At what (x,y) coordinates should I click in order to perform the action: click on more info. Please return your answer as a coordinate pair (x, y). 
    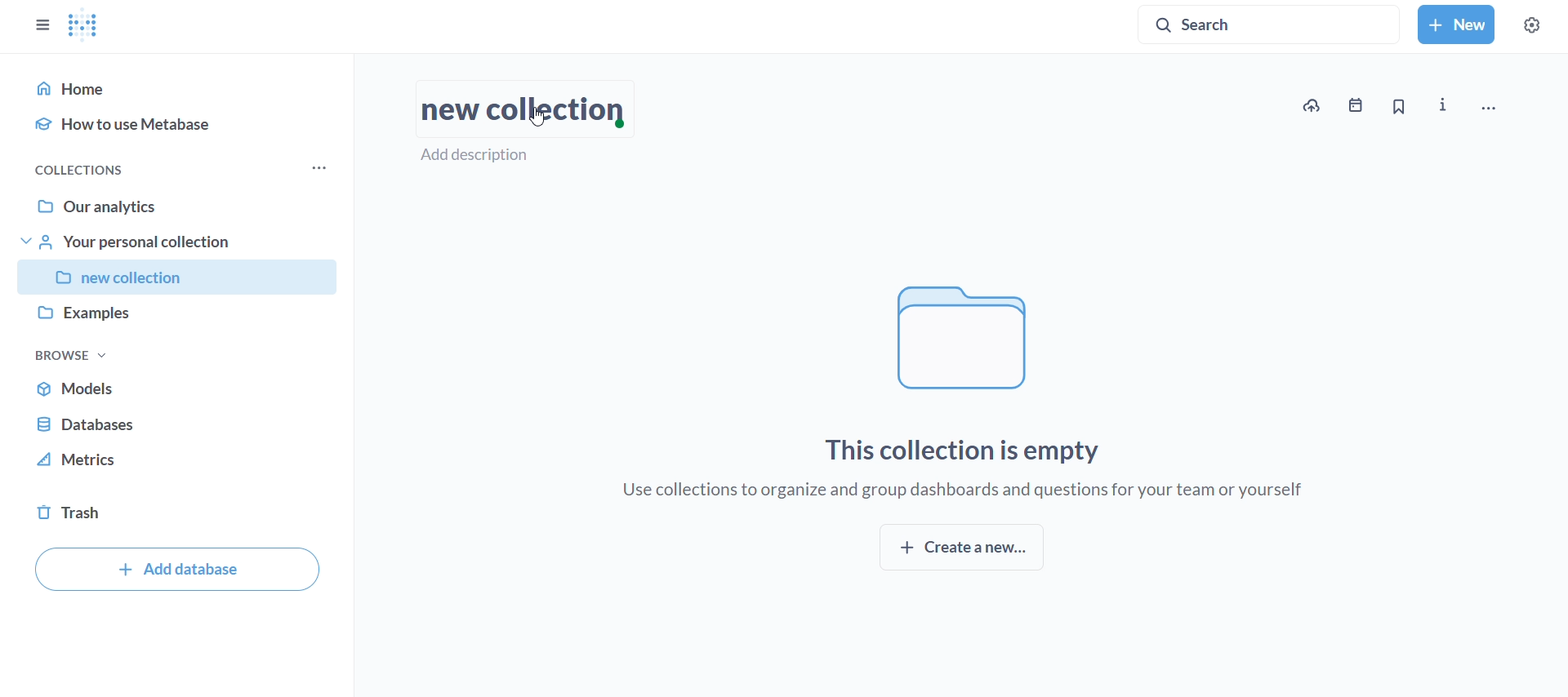
    Looking at the image, I should click on (1446, 105).